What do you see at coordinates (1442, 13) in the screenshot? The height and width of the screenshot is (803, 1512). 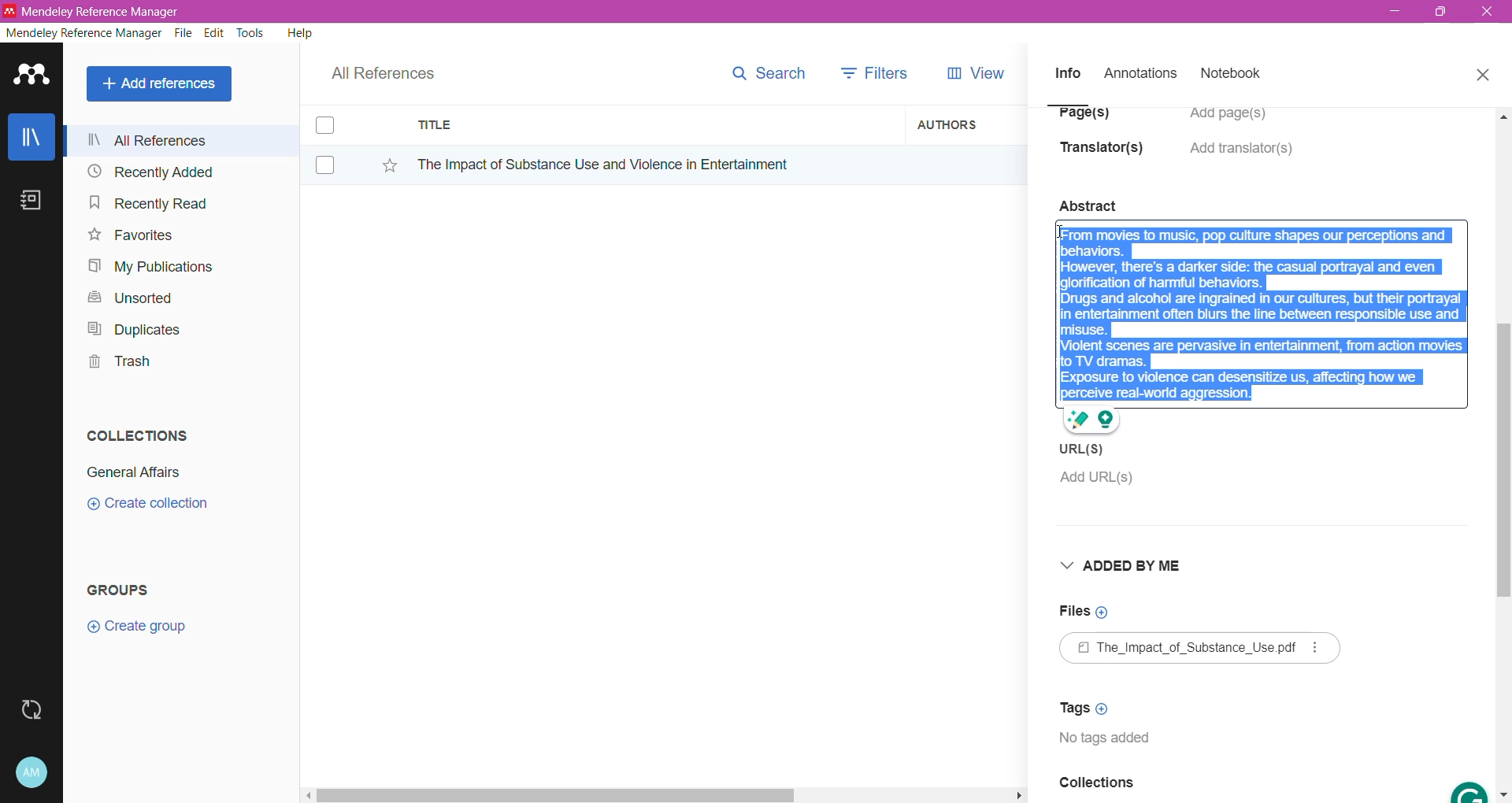 I see `Restore Down` at bounding box center [1442, 13].